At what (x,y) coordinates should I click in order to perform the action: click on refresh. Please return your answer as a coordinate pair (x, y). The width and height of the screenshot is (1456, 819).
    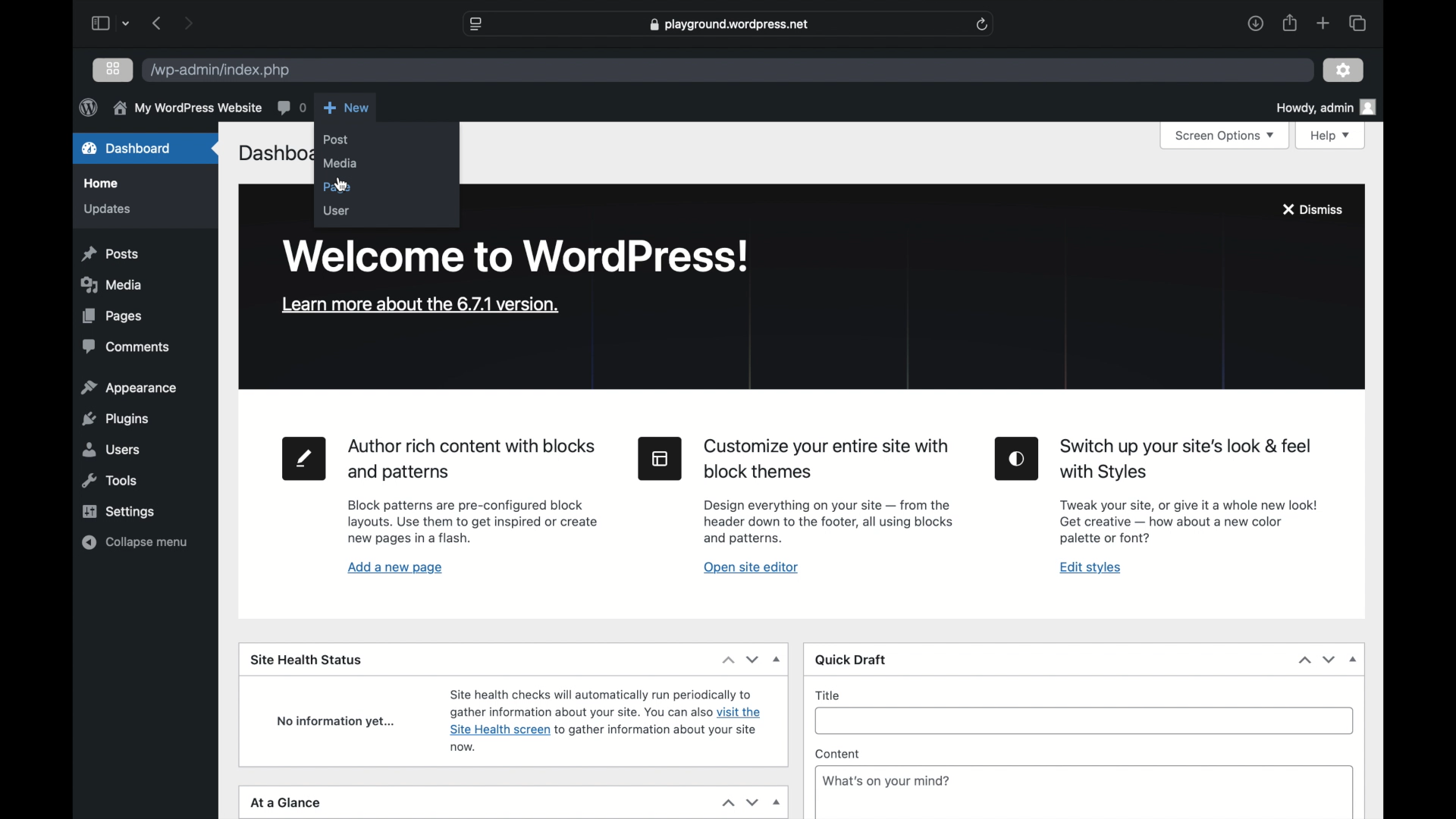
    Looking at the image, I should click on (983, 24).